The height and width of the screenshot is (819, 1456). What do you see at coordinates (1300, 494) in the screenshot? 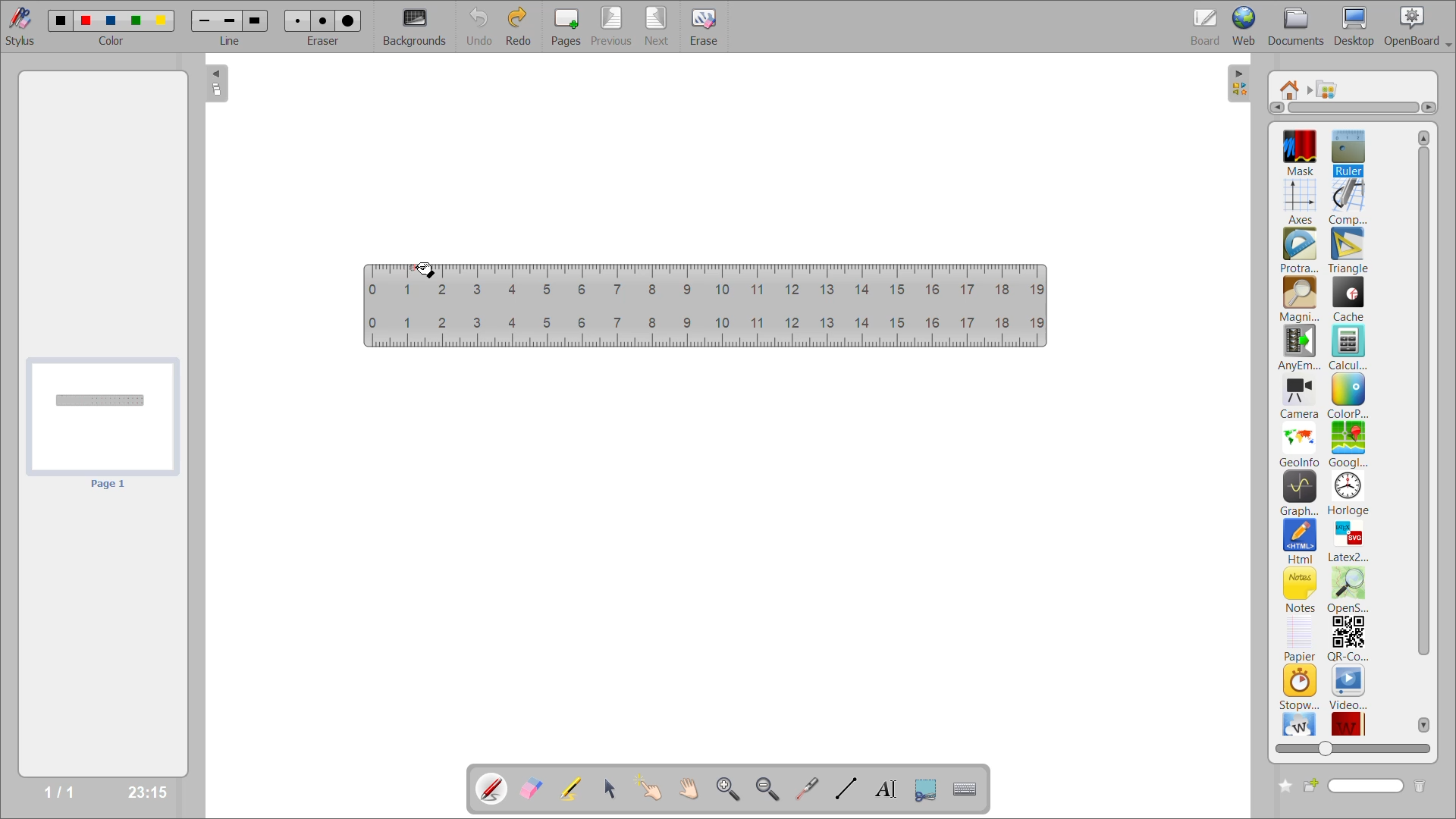
I see `graphme` at bounding box center [1300, 494].